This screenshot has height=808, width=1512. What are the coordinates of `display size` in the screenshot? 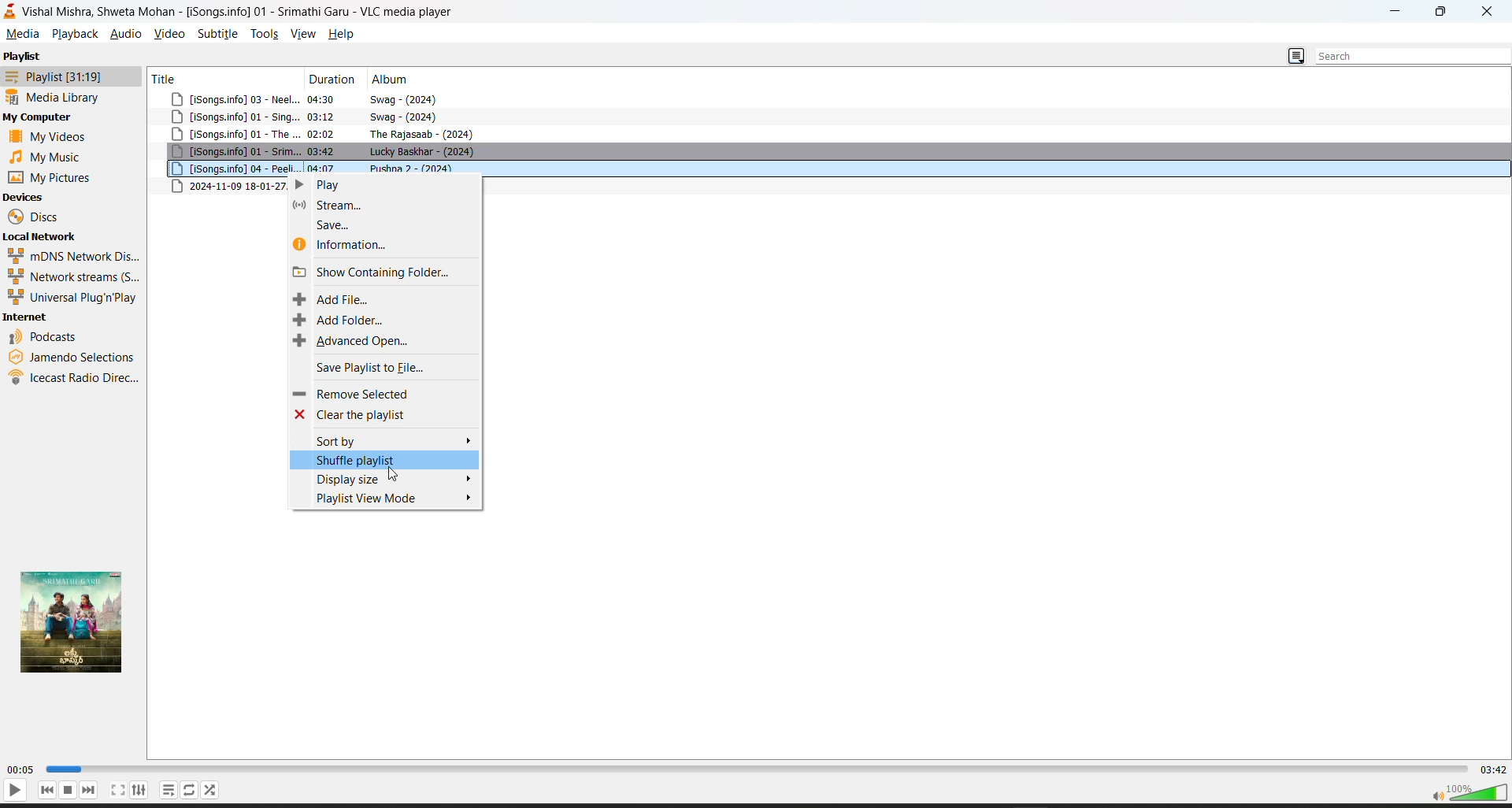 It's located at (389, 479).